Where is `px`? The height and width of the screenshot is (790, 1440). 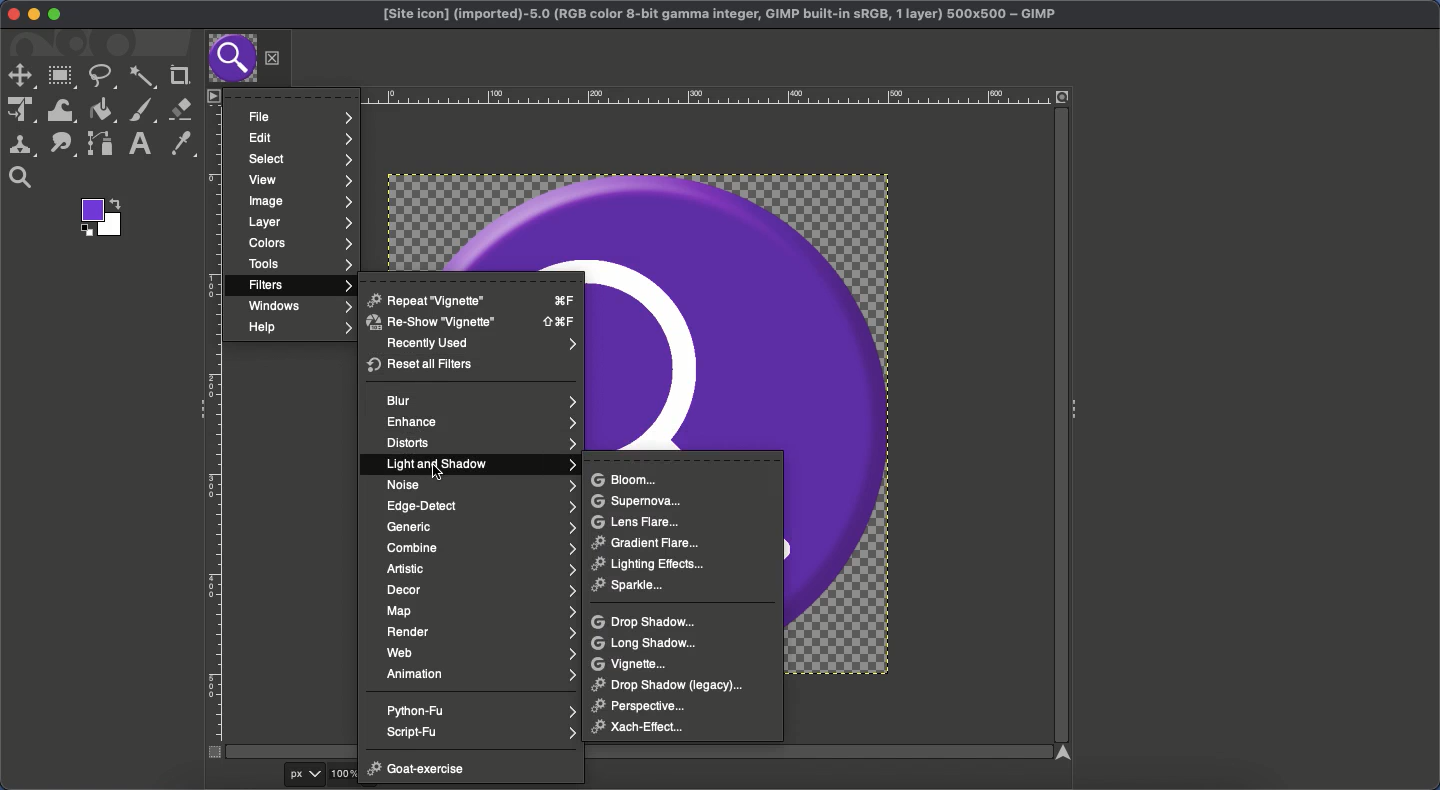 px is located at coordinates (308, 775).